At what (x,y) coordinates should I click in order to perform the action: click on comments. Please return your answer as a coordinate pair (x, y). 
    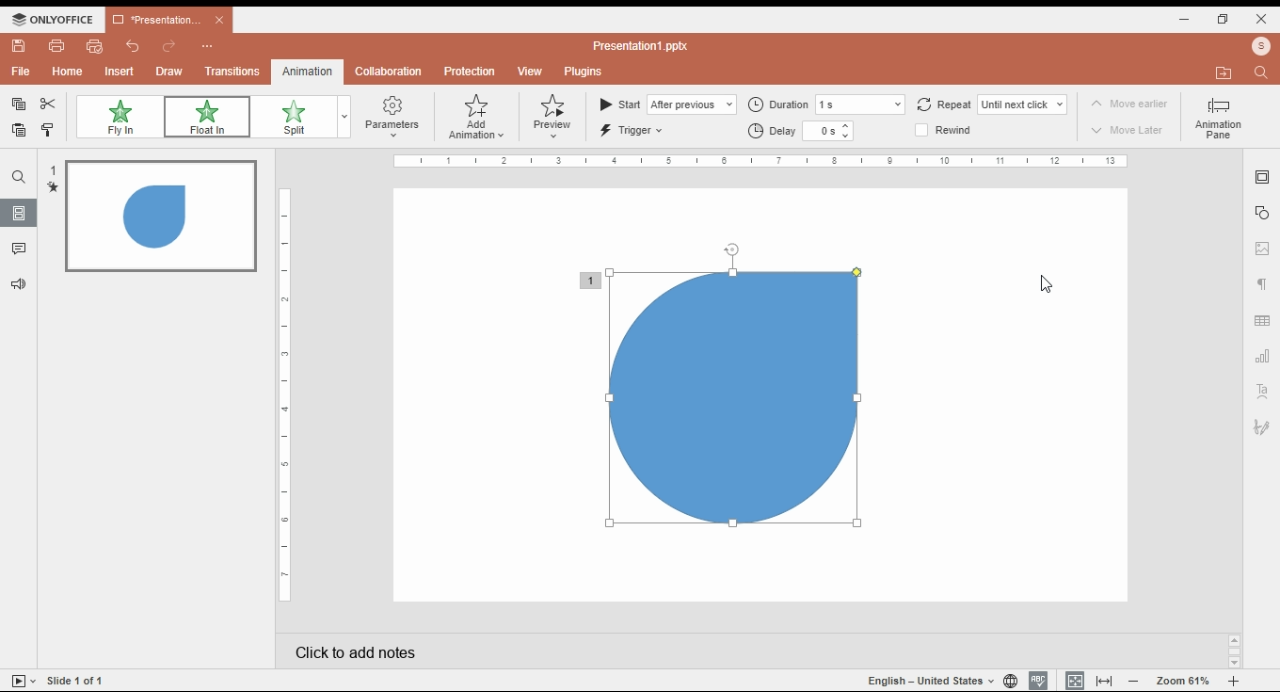
    Looking at the image, I should click on (19, 249).